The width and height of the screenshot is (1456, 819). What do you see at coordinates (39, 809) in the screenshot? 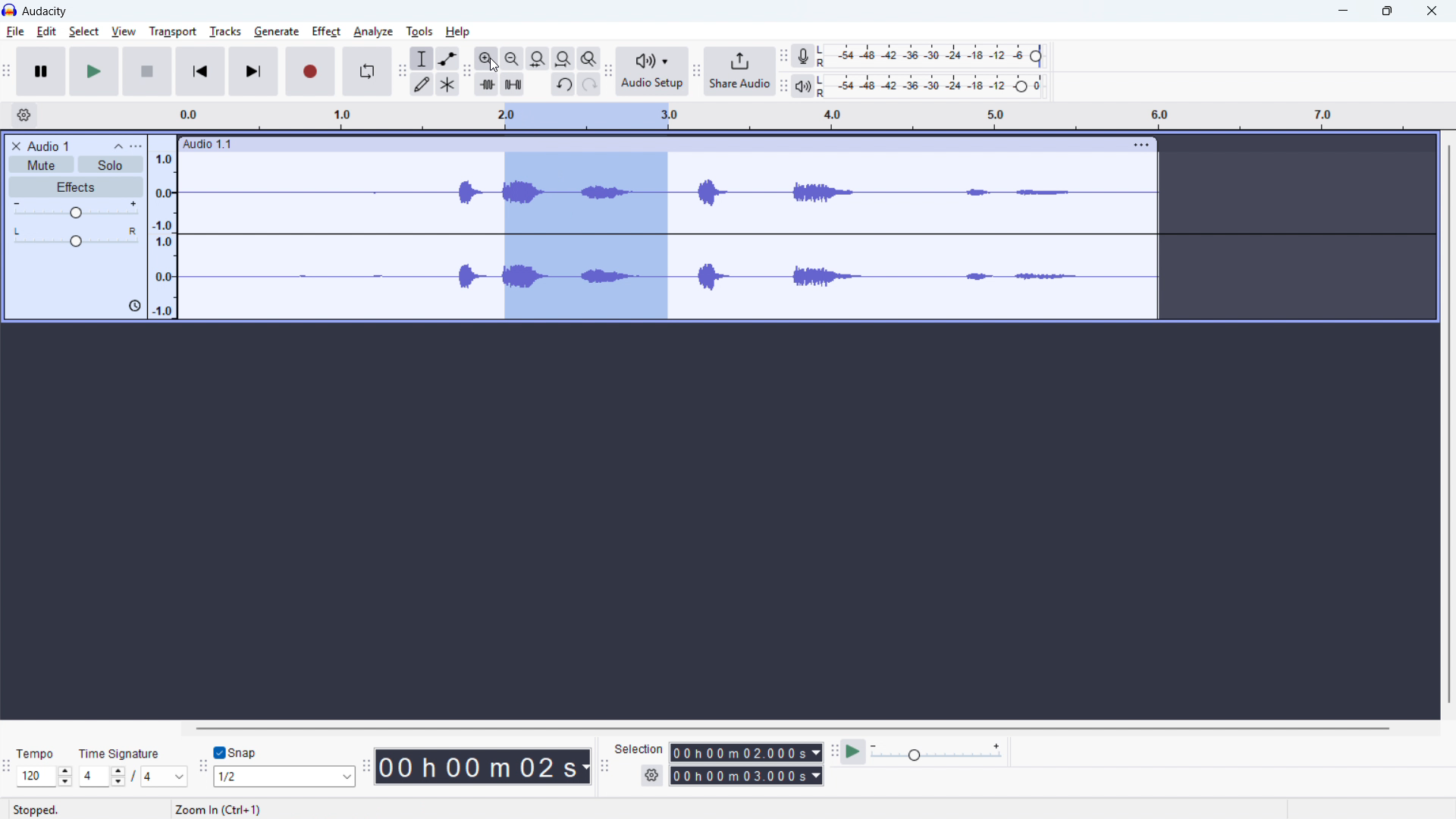
I see `Stopped` at bounding box center [39, 809].